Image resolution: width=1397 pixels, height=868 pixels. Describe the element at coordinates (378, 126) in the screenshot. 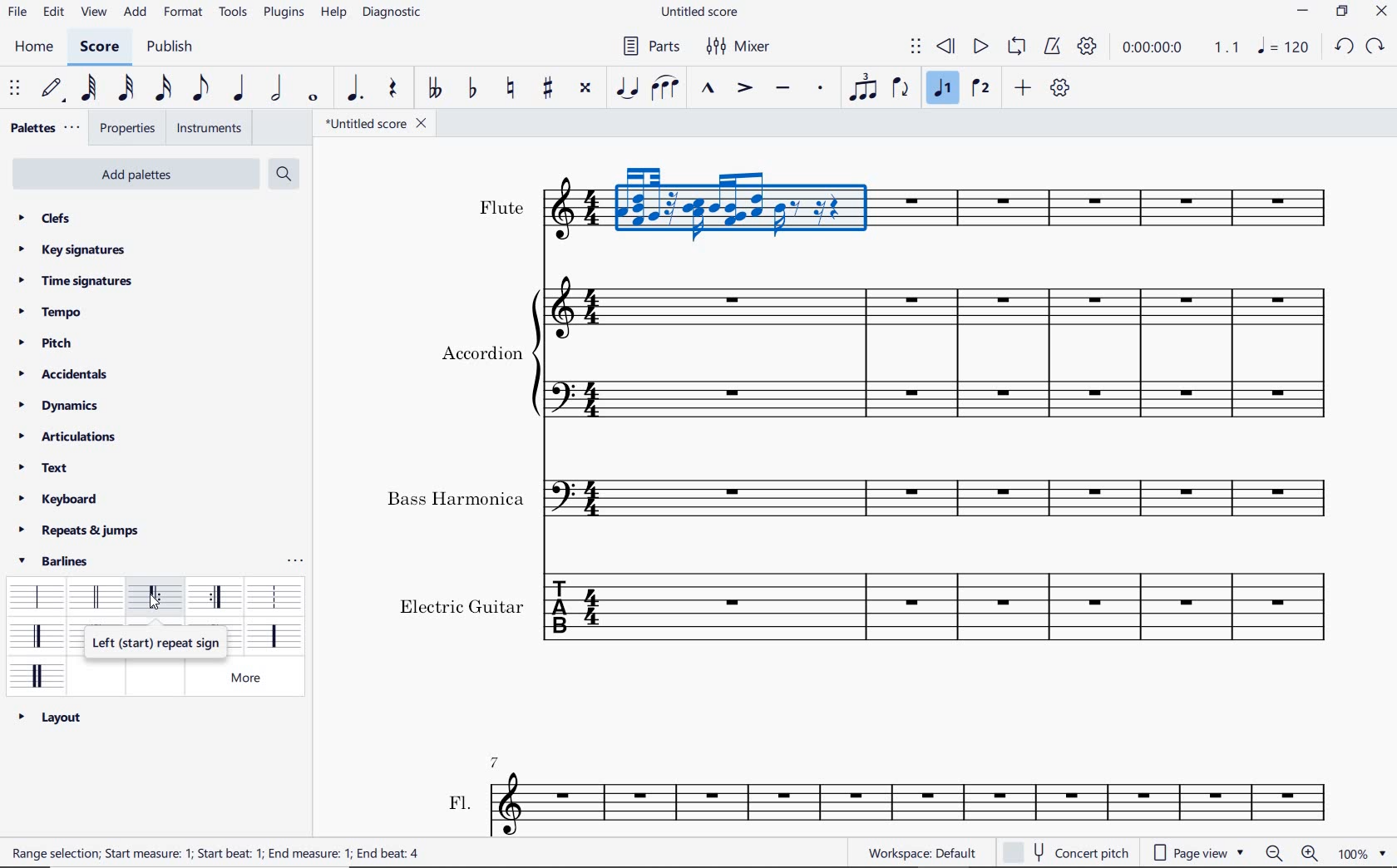

I see `file name` at that location.